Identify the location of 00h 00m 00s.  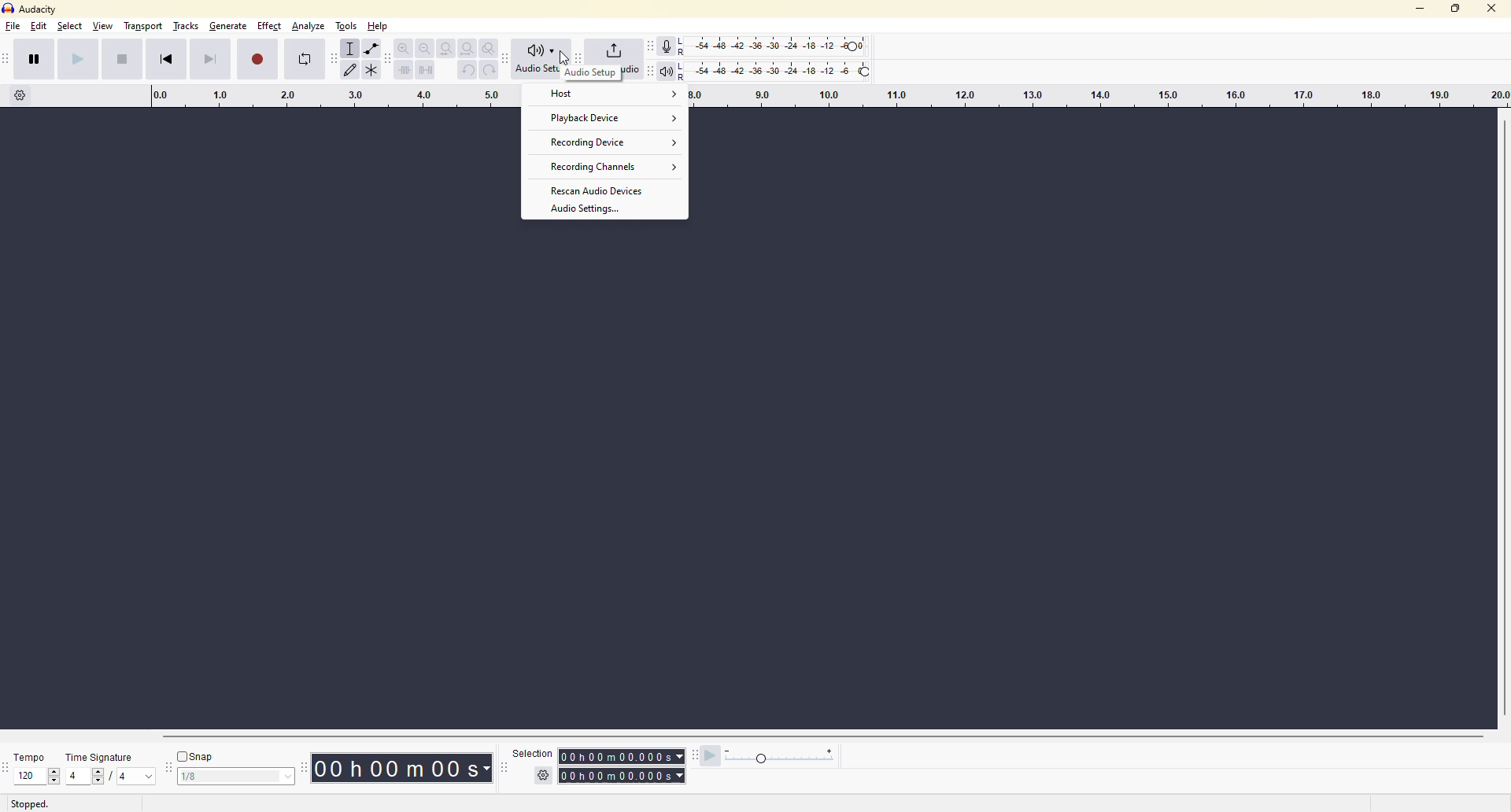
(408, 770).